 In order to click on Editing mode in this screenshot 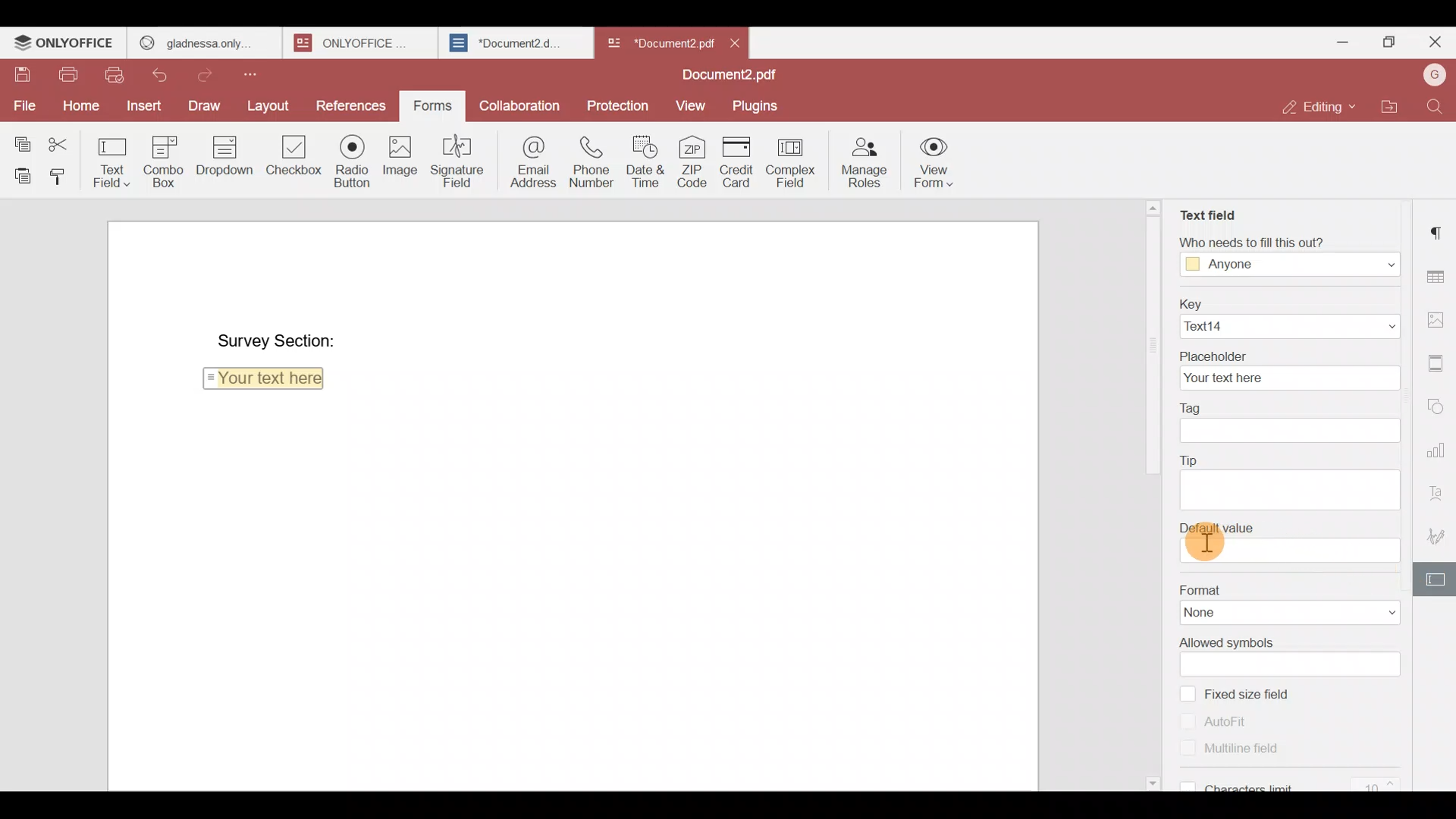, I will do `click(1321, 102)`.